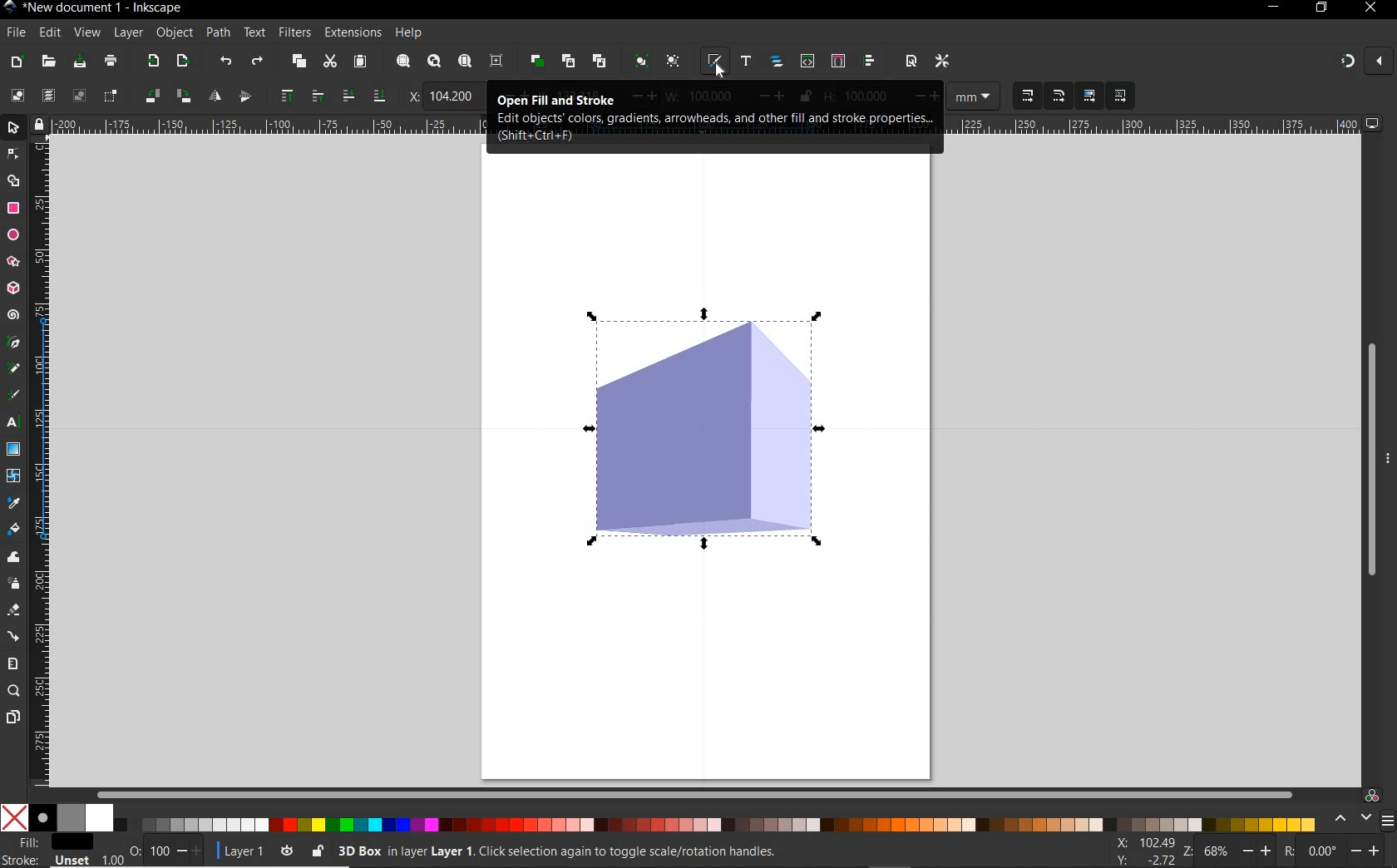 This screenshot has height=868, width=1397. What do you see at coordinates (569, 62) in the screenshot?
I see `CREATE CLONE` at bounding box center [569, 62].